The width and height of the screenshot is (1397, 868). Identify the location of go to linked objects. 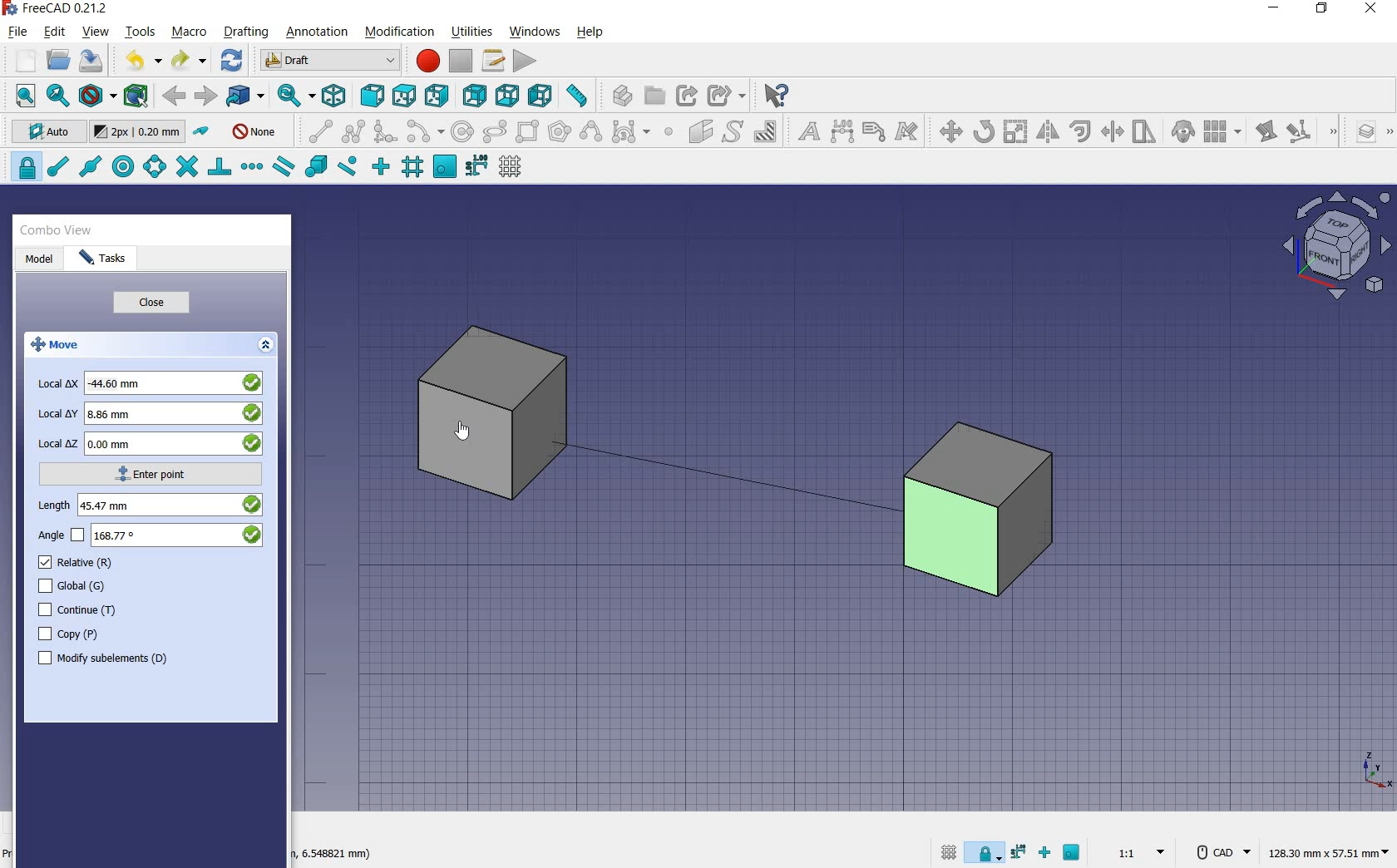
(244, 96).